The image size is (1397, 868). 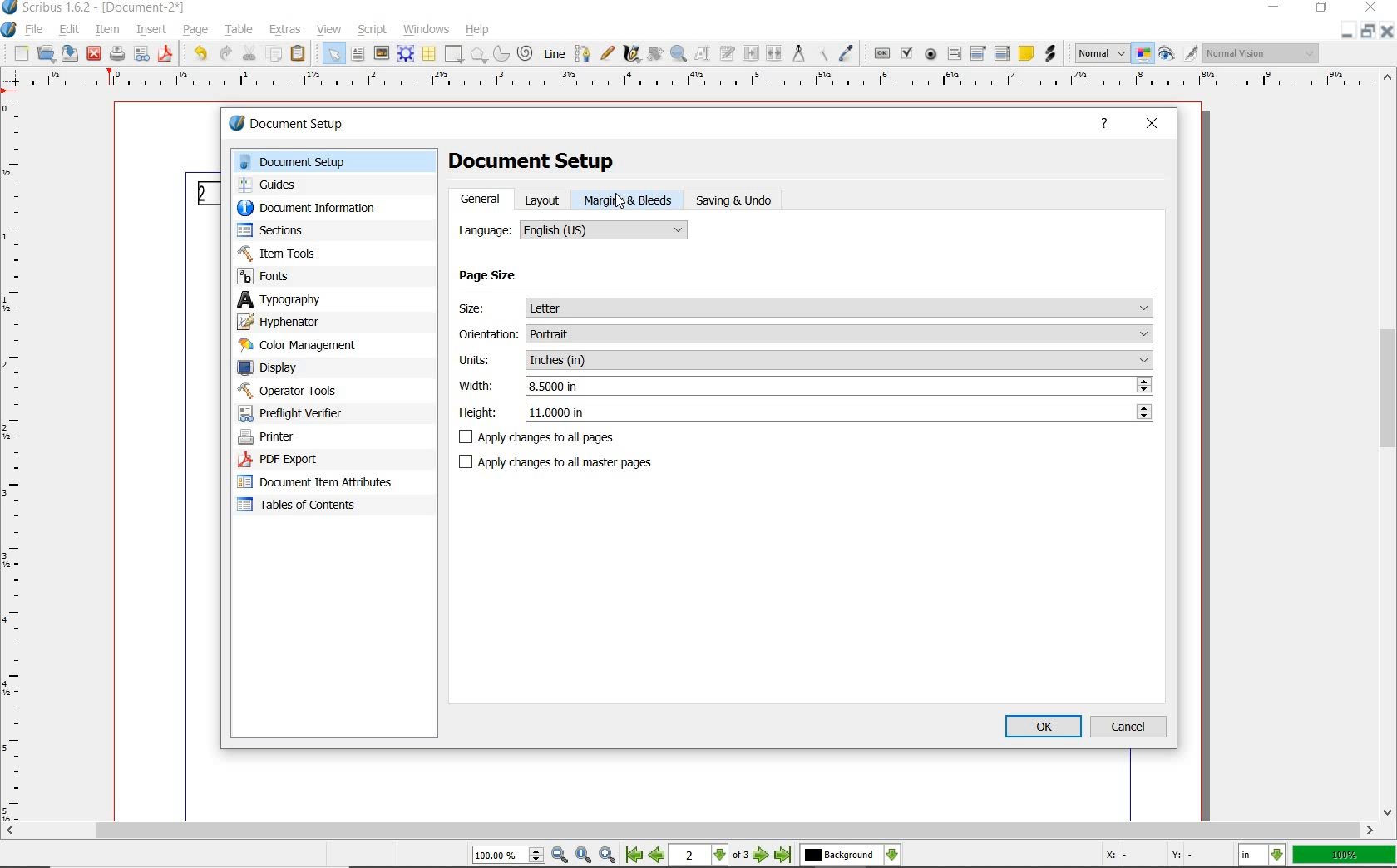 I want to click on Zoom to 100%, so click(x=584, y=856).